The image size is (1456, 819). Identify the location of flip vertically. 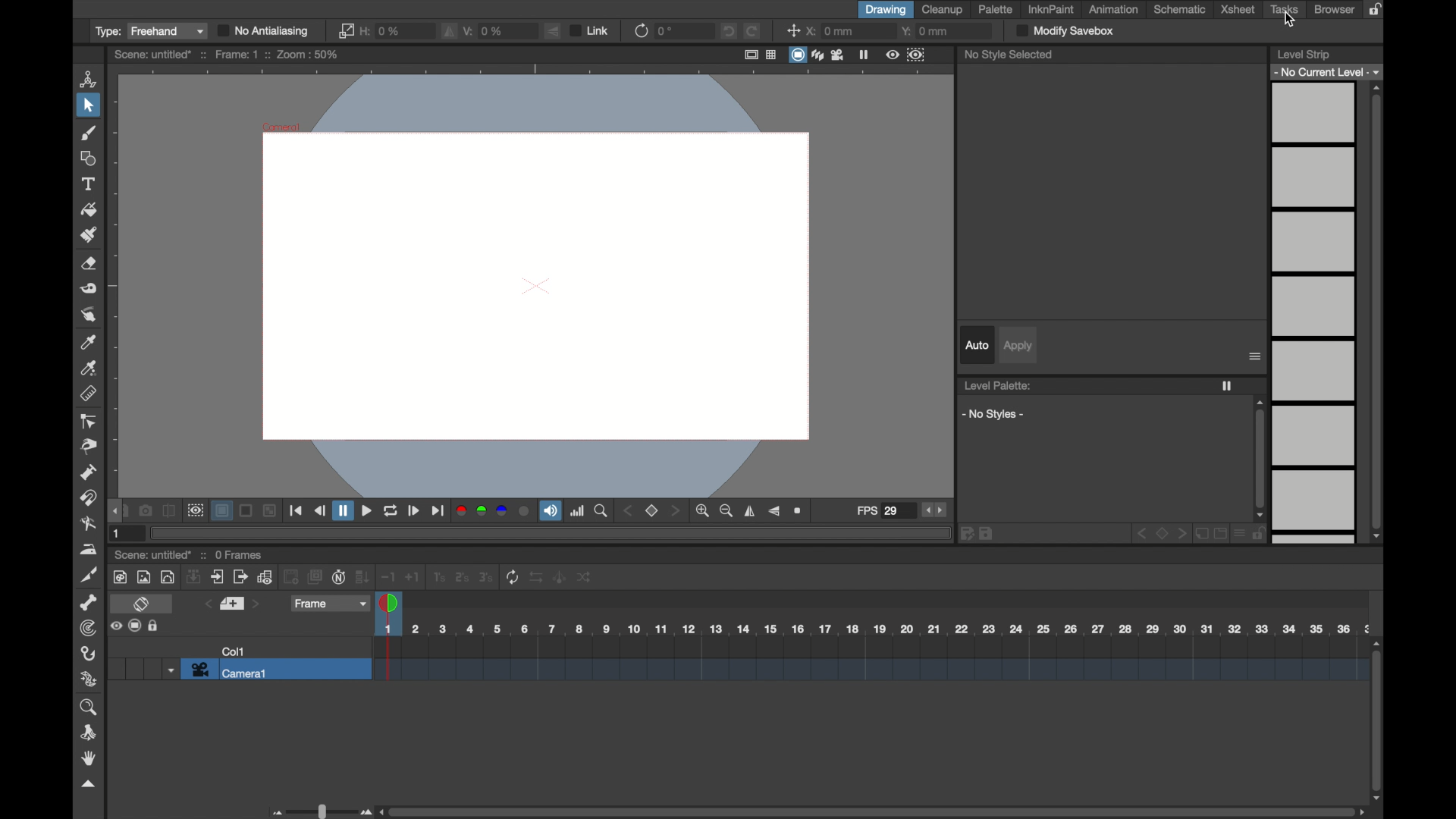
(751, 512).